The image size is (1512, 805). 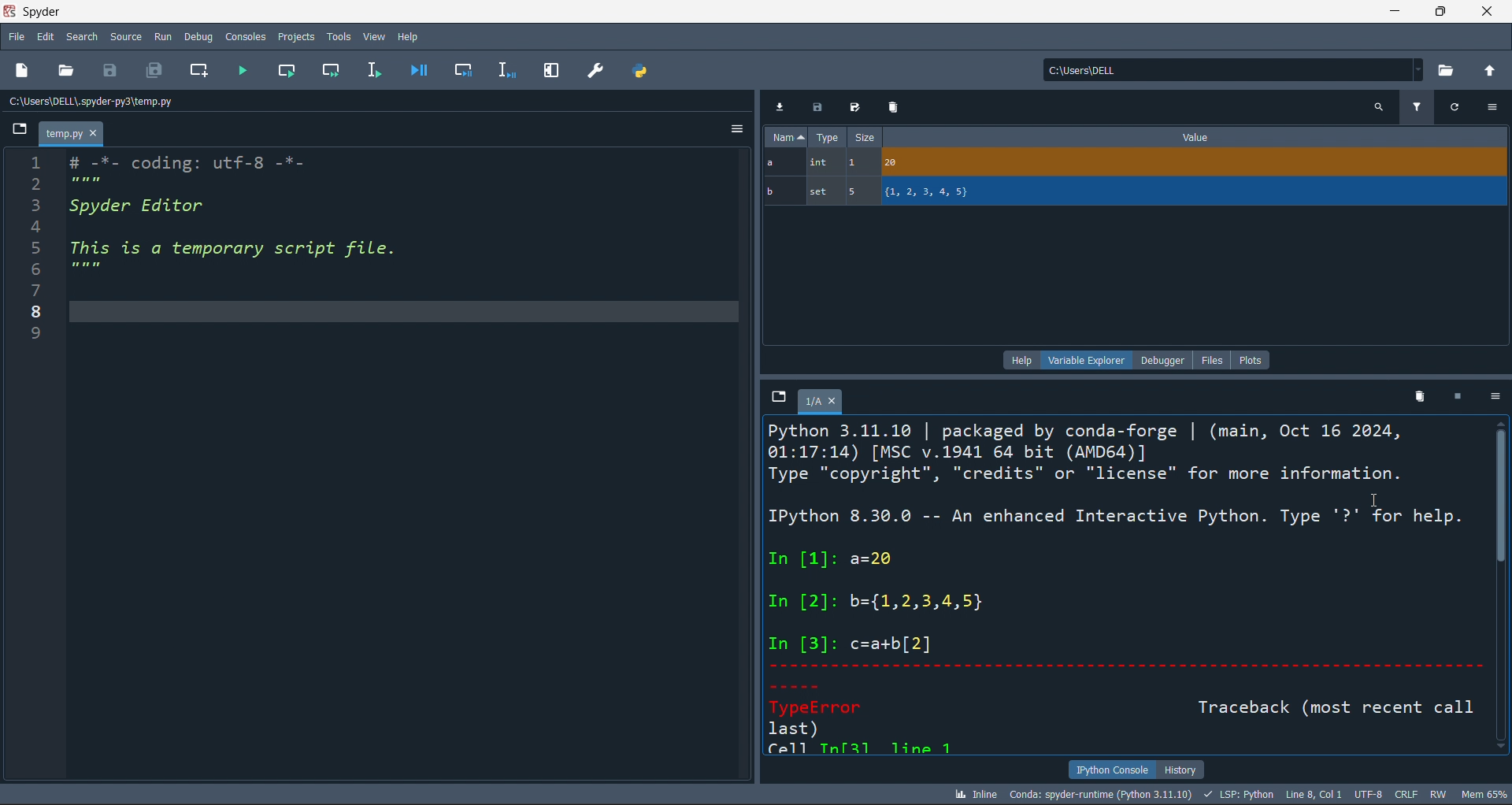 I want to click on open parent directory, so click(x=1492, y=69).